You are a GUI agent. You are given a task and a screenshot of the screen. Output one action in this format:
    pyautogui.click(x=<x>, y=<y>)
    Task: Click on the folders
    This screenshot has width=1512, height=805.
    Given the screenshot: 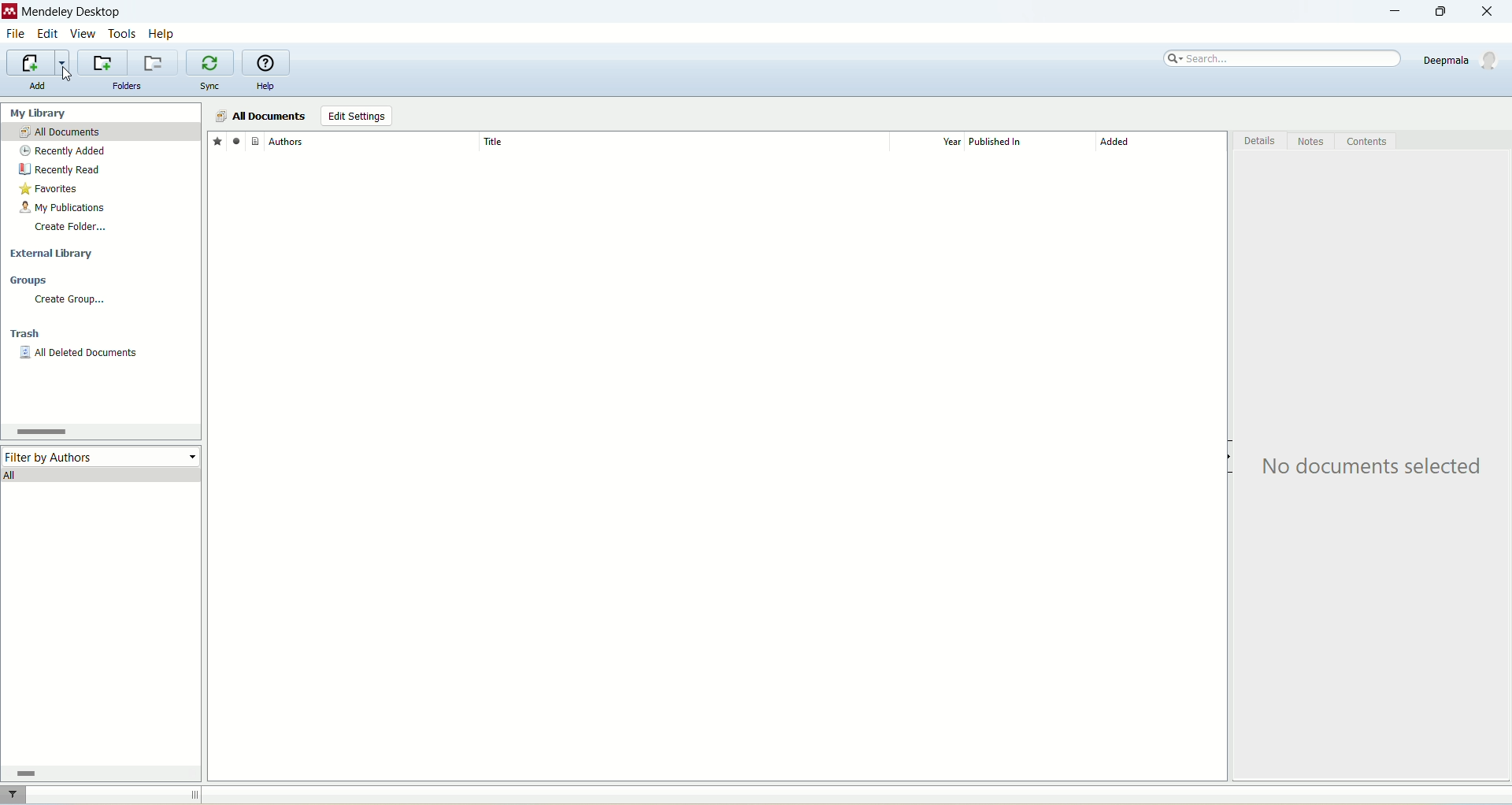 What is the action you would take?
    pyautogui.click(x=128, y=87)
    